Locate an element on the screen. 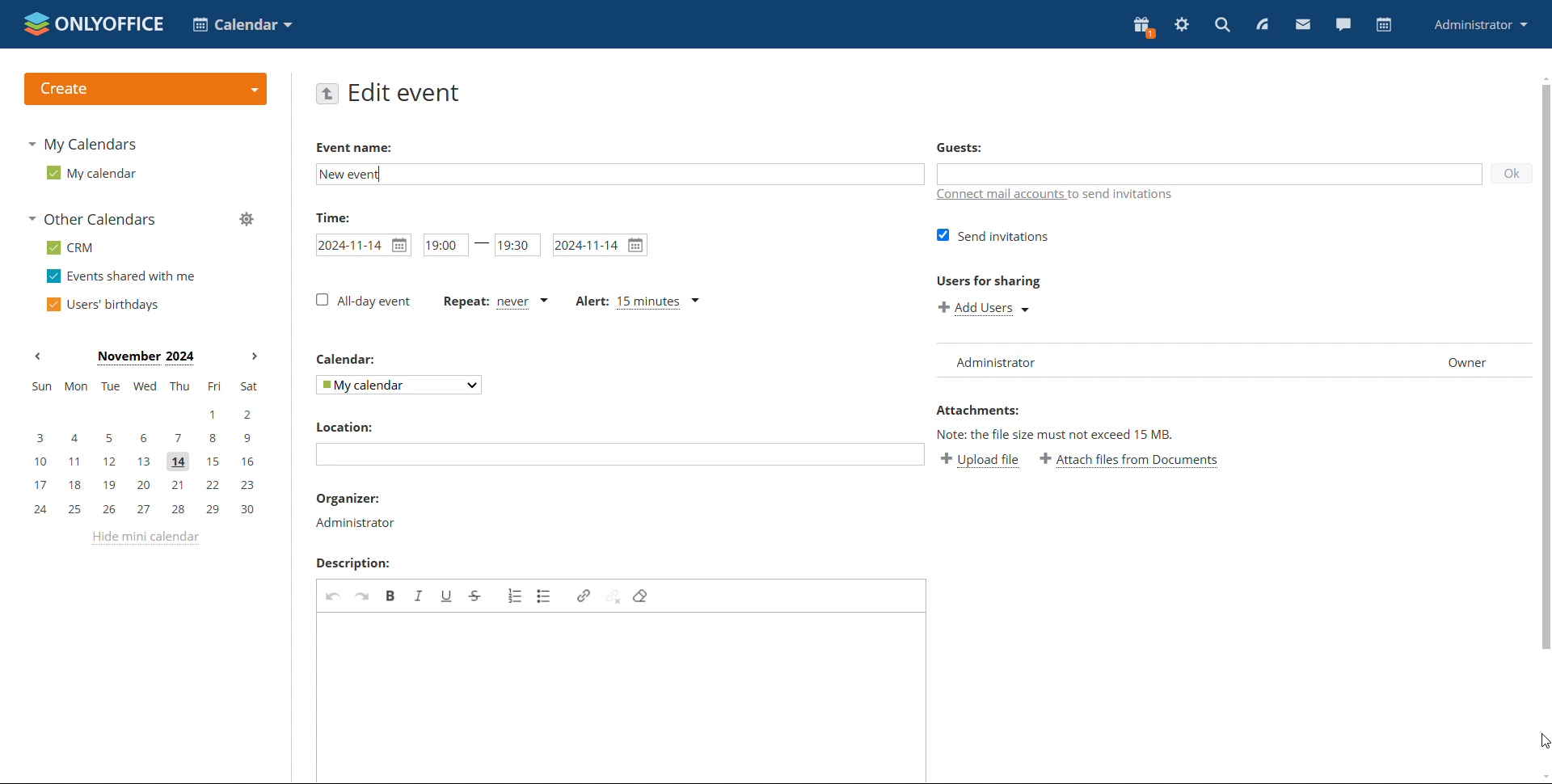  start time is located at coordinates (445, 247).